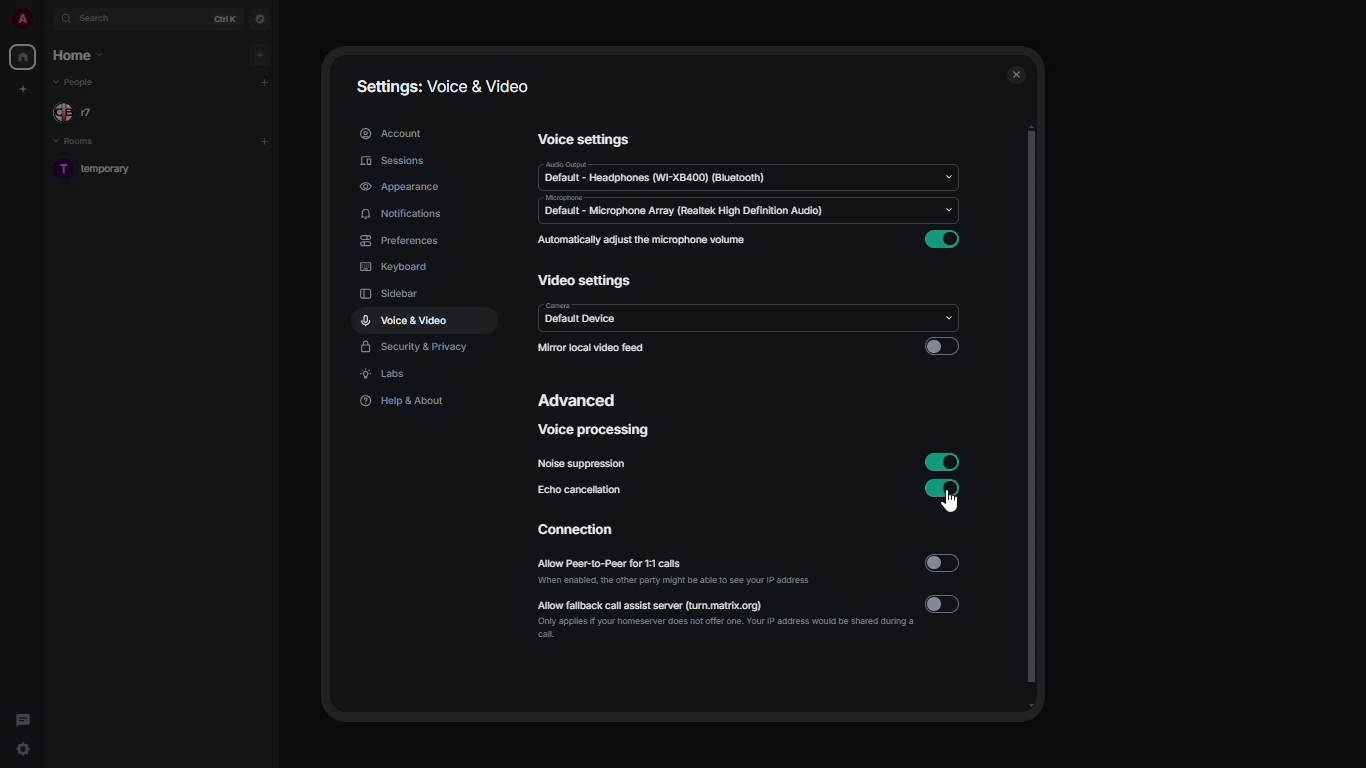 The height and width of the screenshot is (768, 1366). Describe the element at coordinates (23, 88) in the screenshot. I see `create new space` at that location.